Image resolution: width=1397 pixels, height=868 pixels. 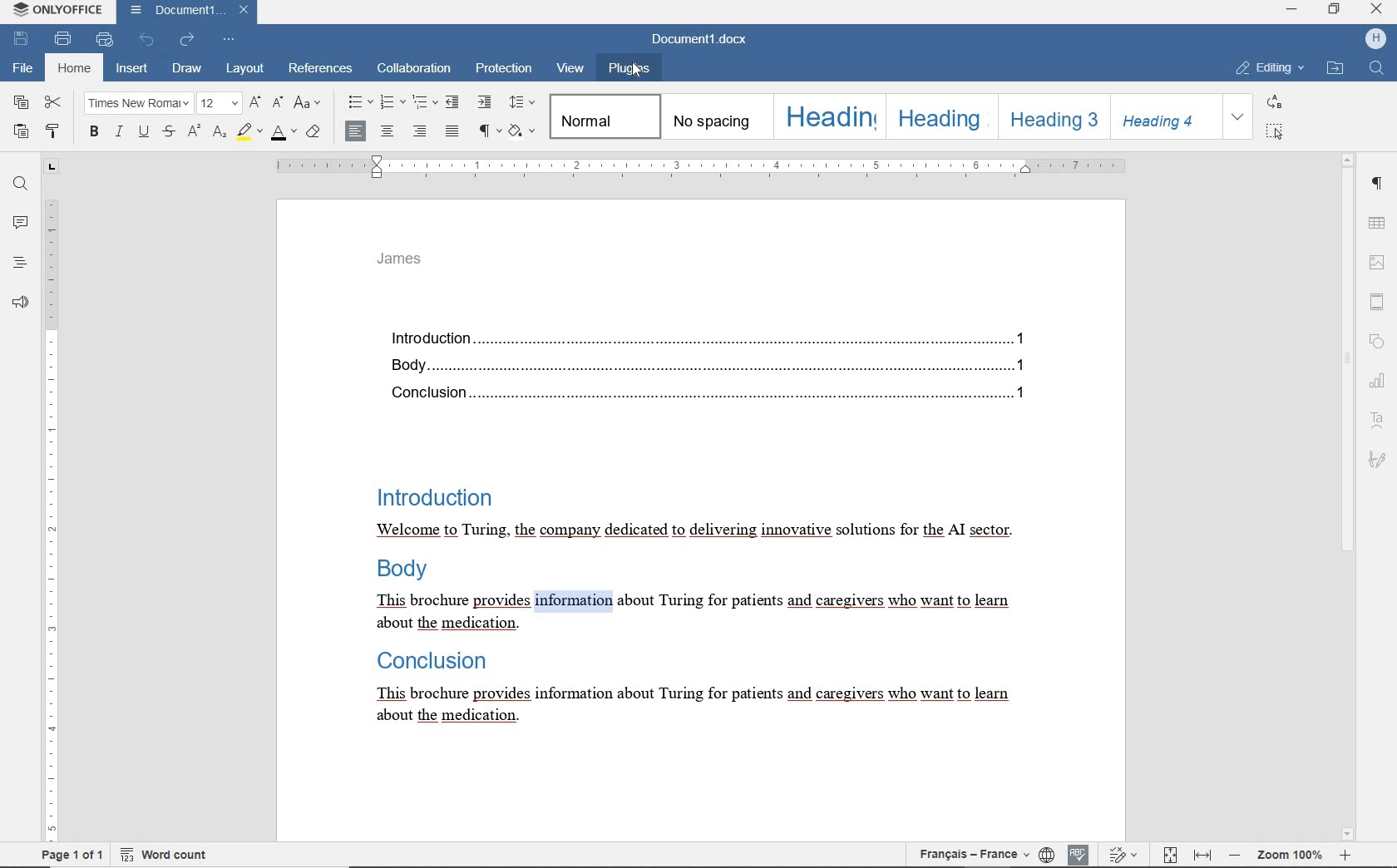 What do you see at coordinates (55, 10) in the screenshot?
I see `SYSTEM NAME` at bounding box center [55, 10].